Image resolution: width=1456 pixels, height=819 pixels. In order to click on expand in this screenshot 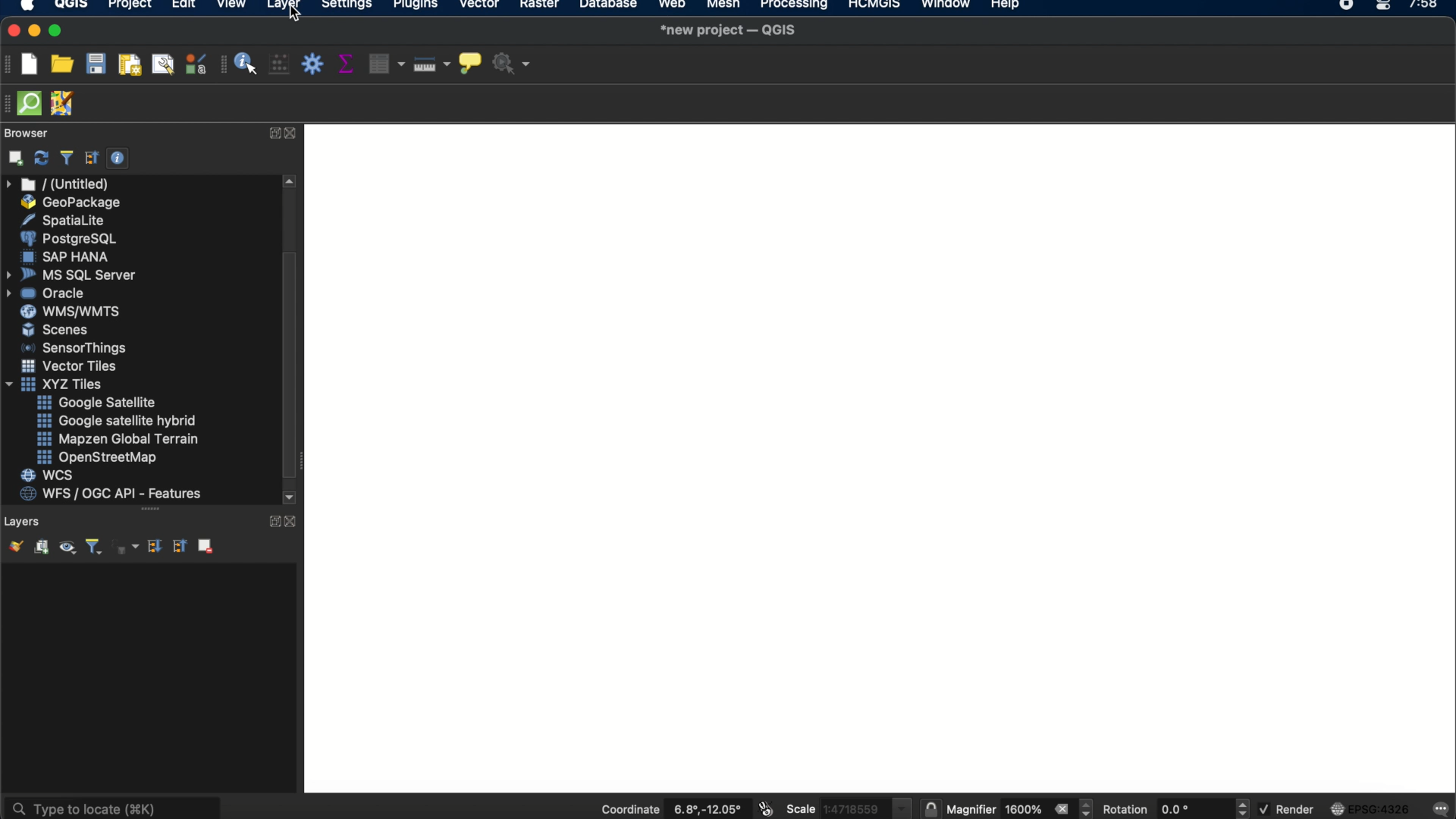, I will do `click(275, 133)`.